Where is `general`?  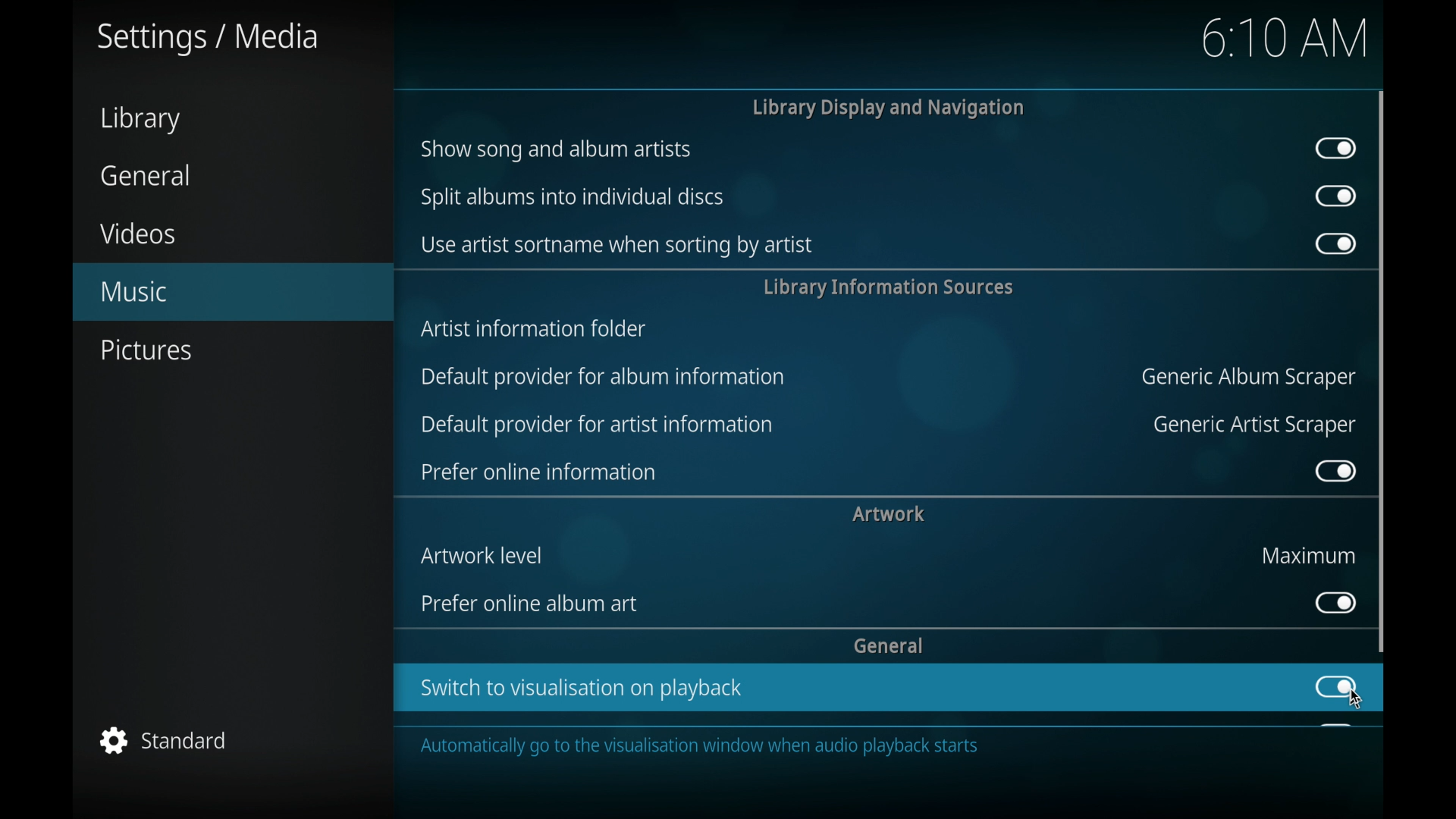
general is located at coordinates (889, 645).